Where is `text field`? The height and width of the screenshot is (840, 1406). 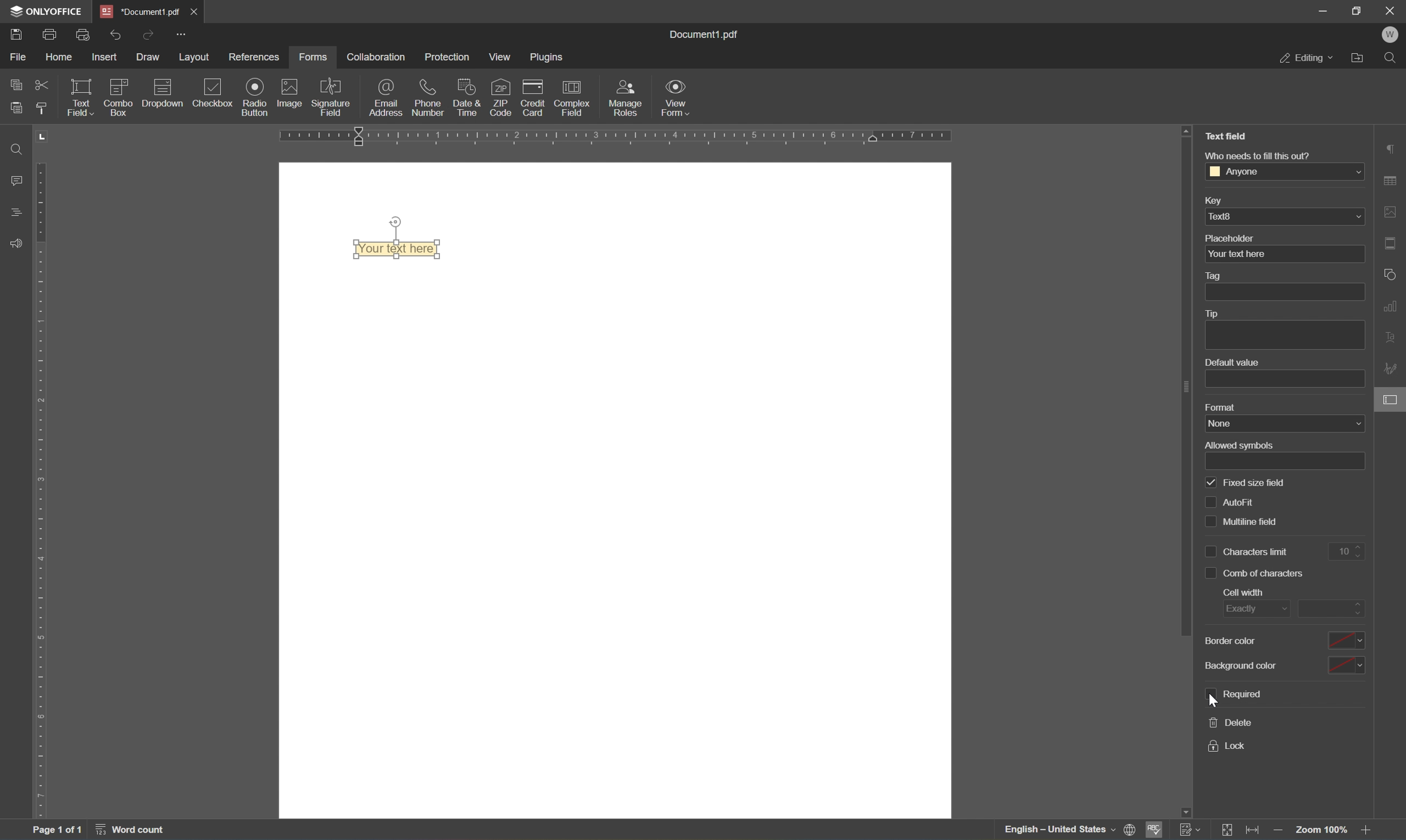 text field is located at coordinates (1229, 136).